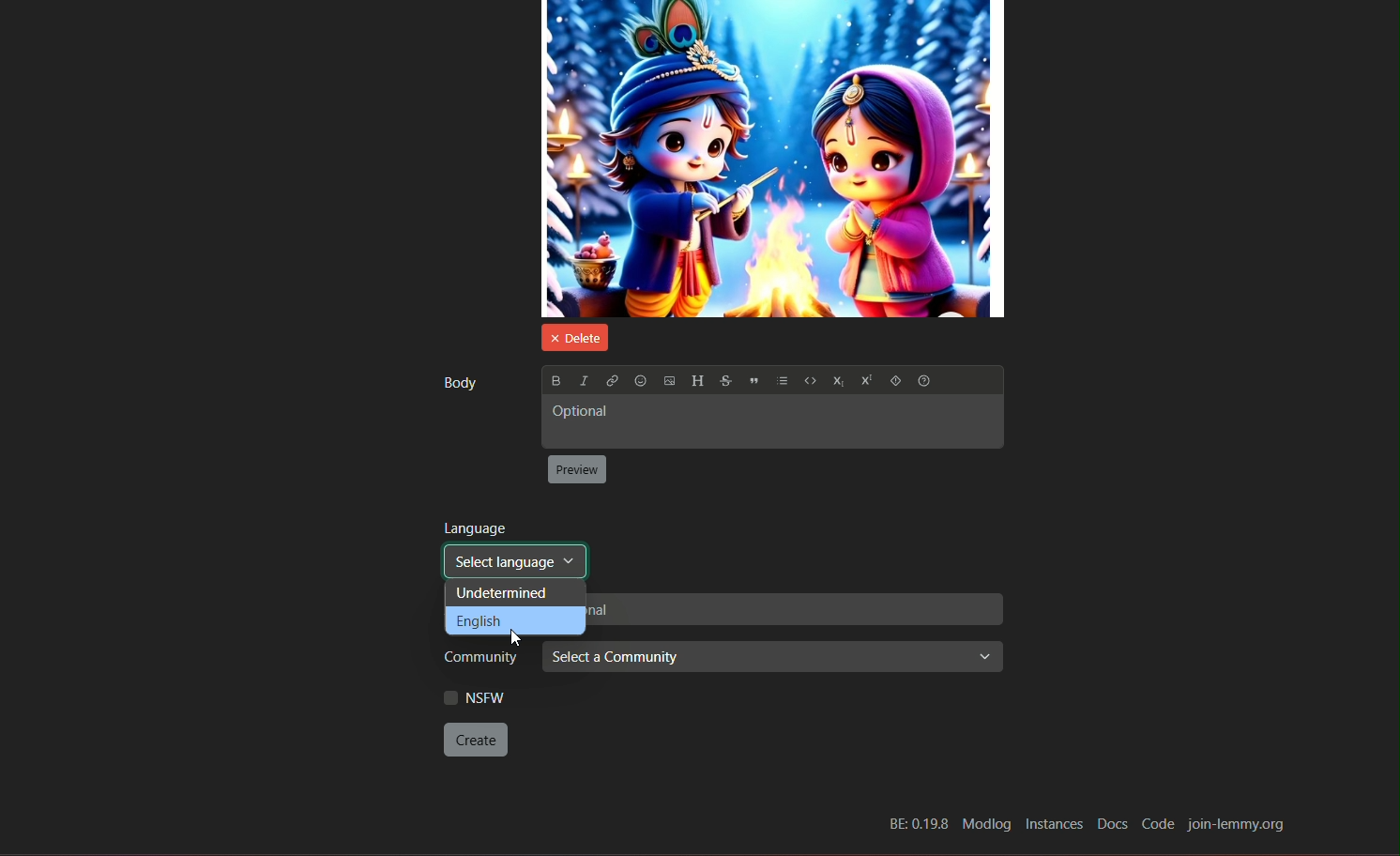 The height and width of the screenshot is (856, 1400). Describe the element at coordinates (555, 380) in the screenshot. I see `bold` at that location.